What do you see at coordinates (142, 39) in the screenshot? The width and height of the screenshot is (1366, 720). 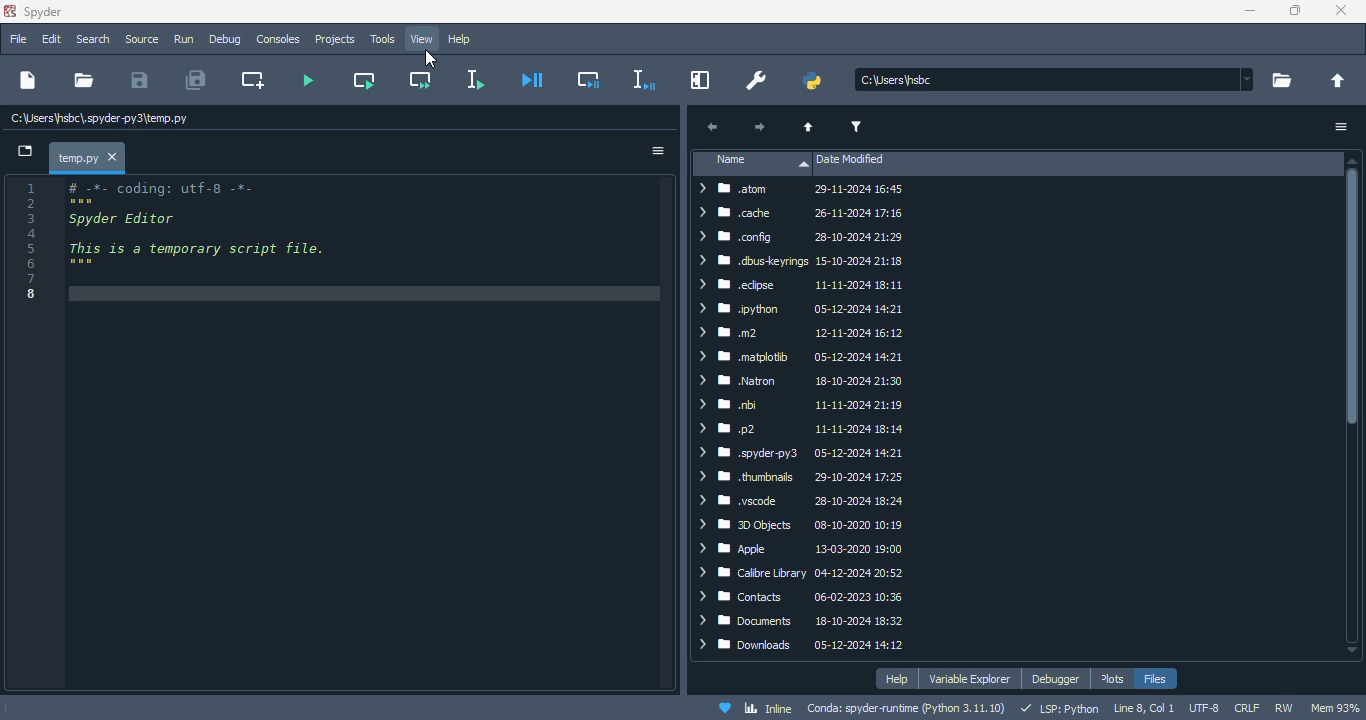 I see `source` at bounding box center [142, 39].